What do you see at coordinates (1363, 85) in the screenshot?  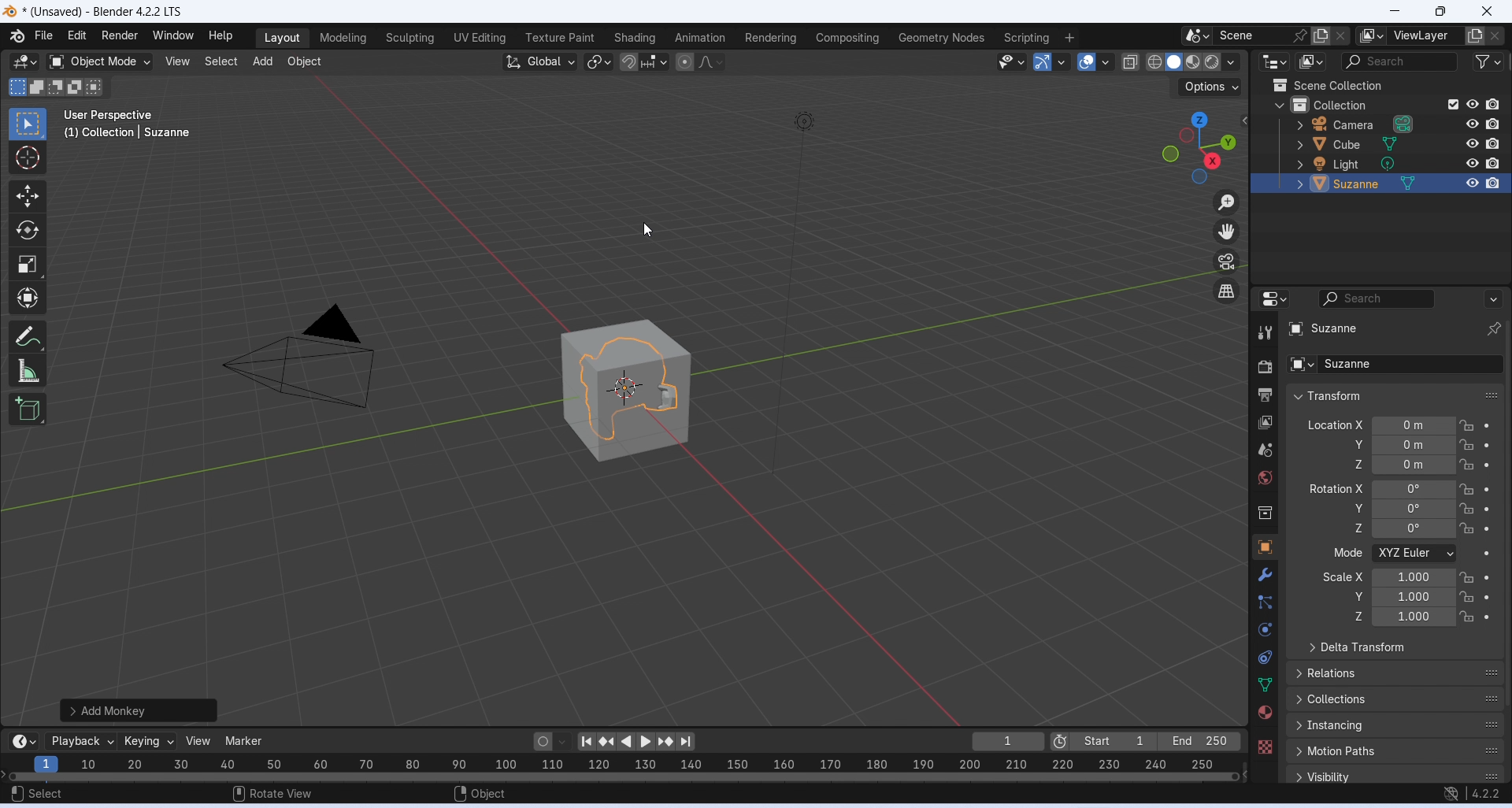 I see `scene collection` at bounding box center [1363, 85].